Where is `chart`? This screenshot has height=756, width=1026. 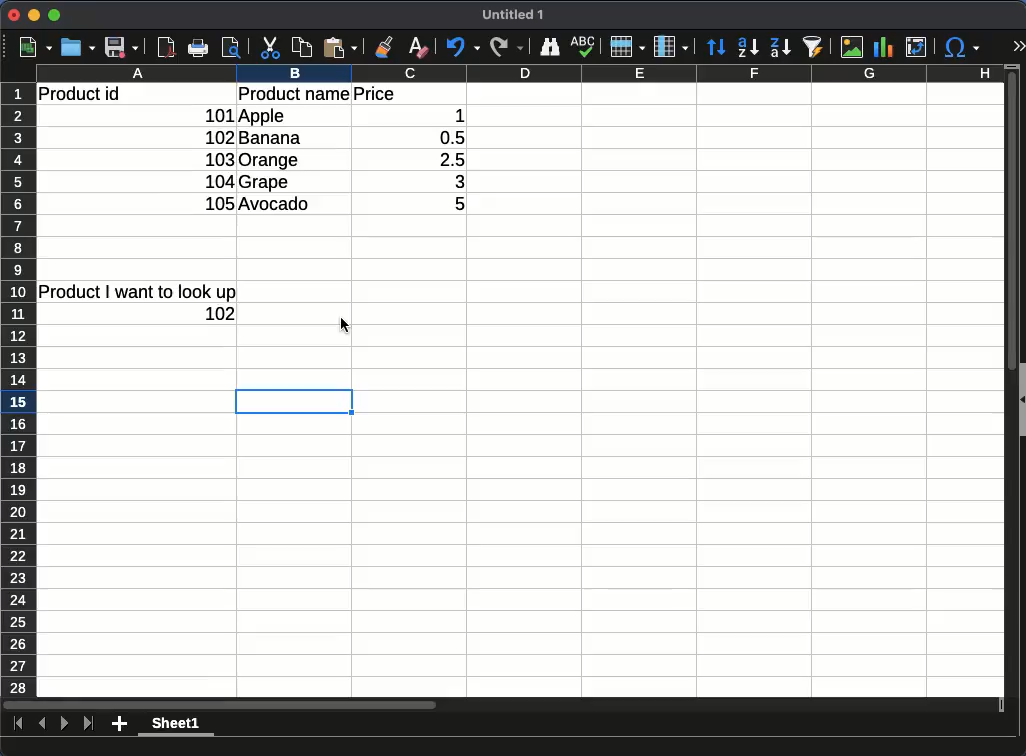
chart is located at coordinates (883, 47).